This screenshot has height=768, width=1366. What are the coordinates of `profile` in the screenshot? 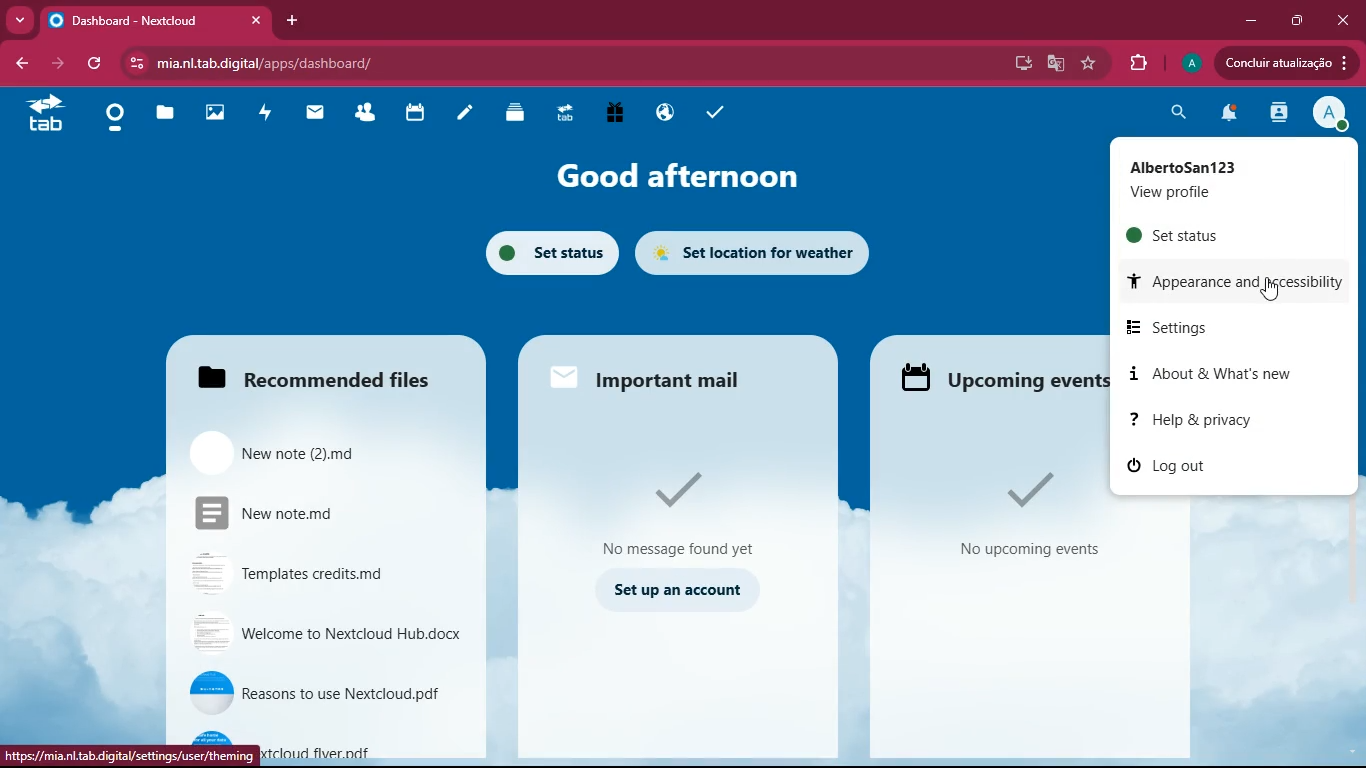 It's located at (1195, 64).